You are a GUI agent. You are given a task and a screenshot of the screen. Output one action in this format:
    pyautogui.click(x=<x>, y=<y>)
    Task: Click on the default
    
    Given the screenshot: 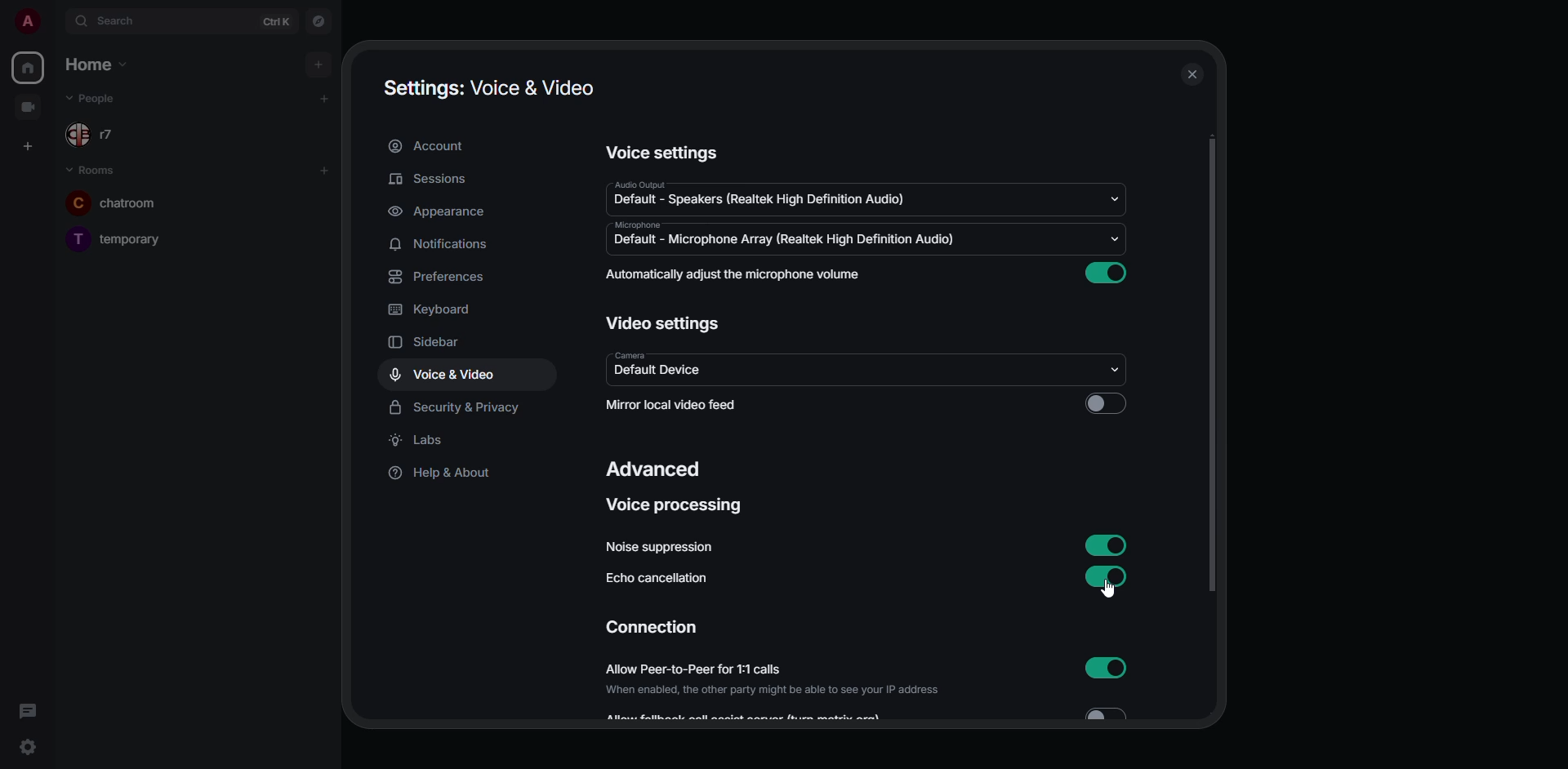 What is the action you would take?
    pyautogui.click(x=781, y=239)
    